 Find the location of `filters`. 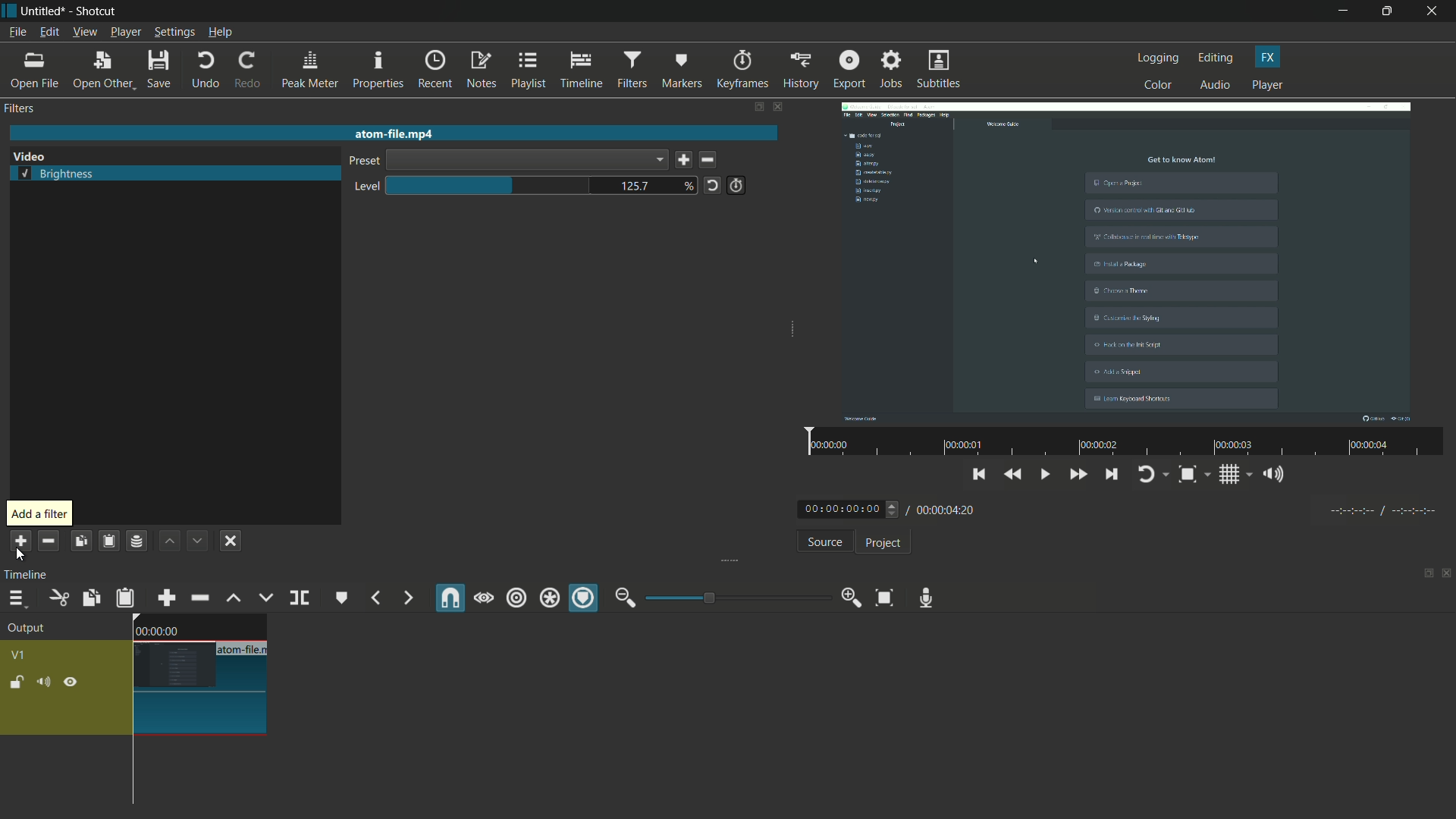

filters is located at coordinates (631, 70).